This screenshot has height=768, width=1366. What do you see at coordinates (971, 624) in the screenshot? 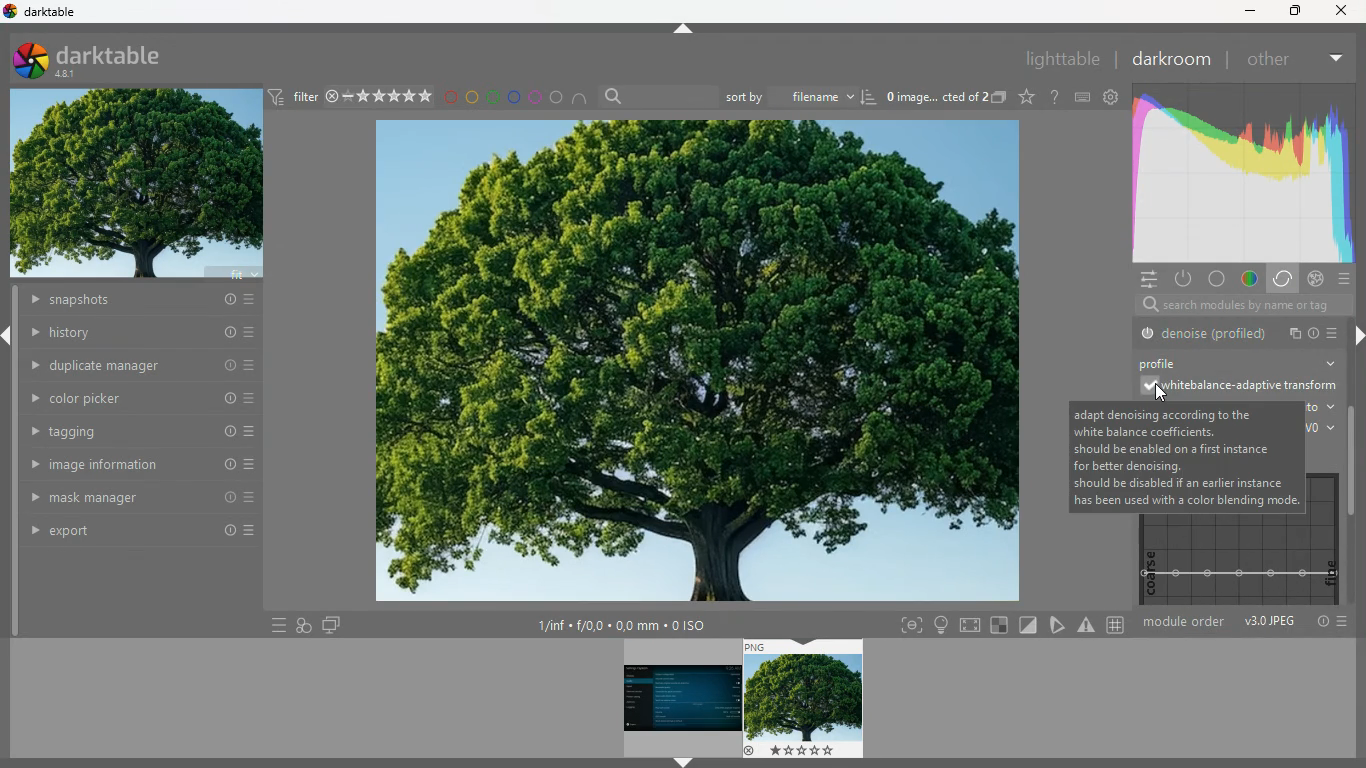
I see `screen size` at bounding box center [971, 624].